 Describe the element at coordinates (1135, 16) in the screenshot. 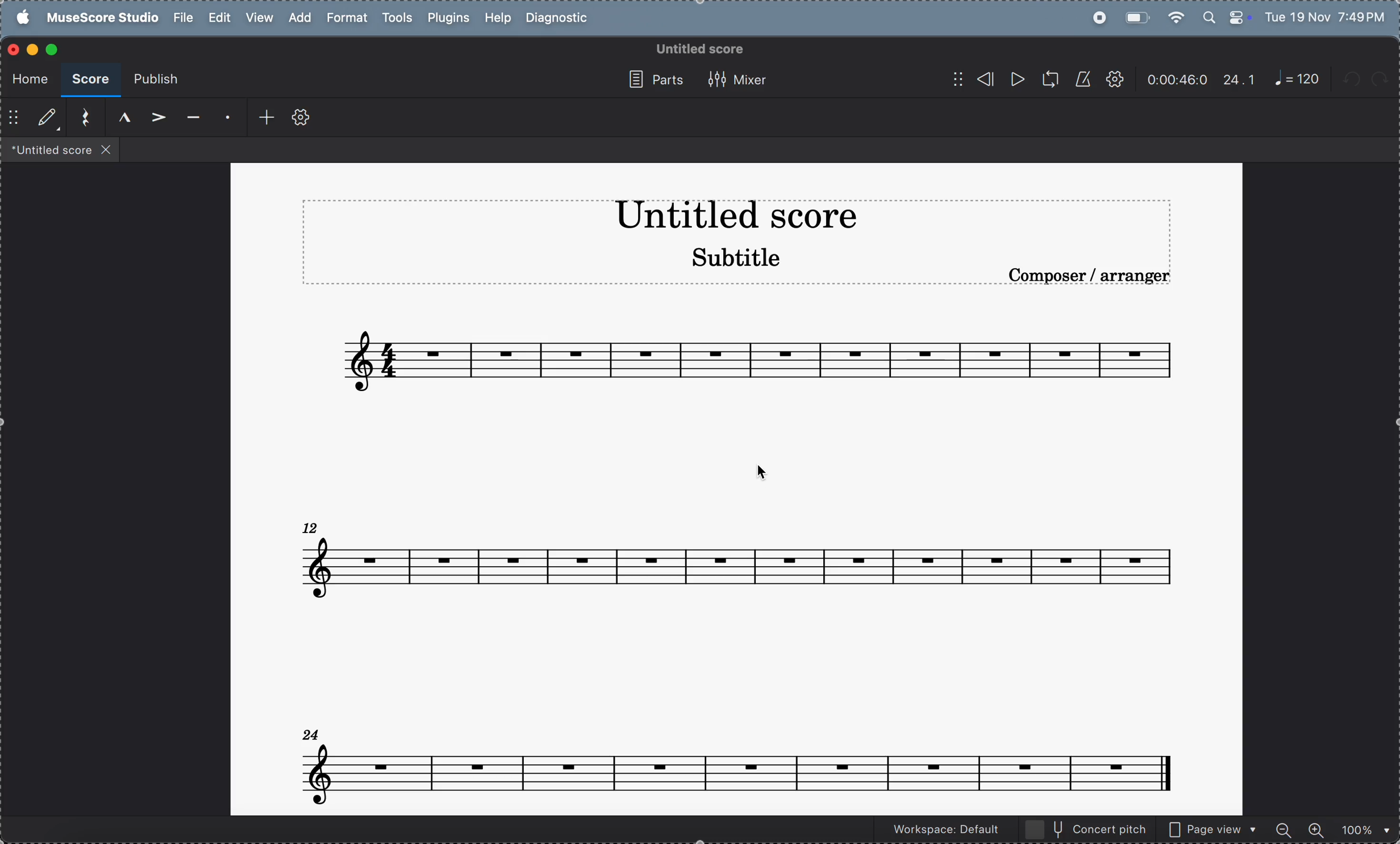

I see `battery` at that location.